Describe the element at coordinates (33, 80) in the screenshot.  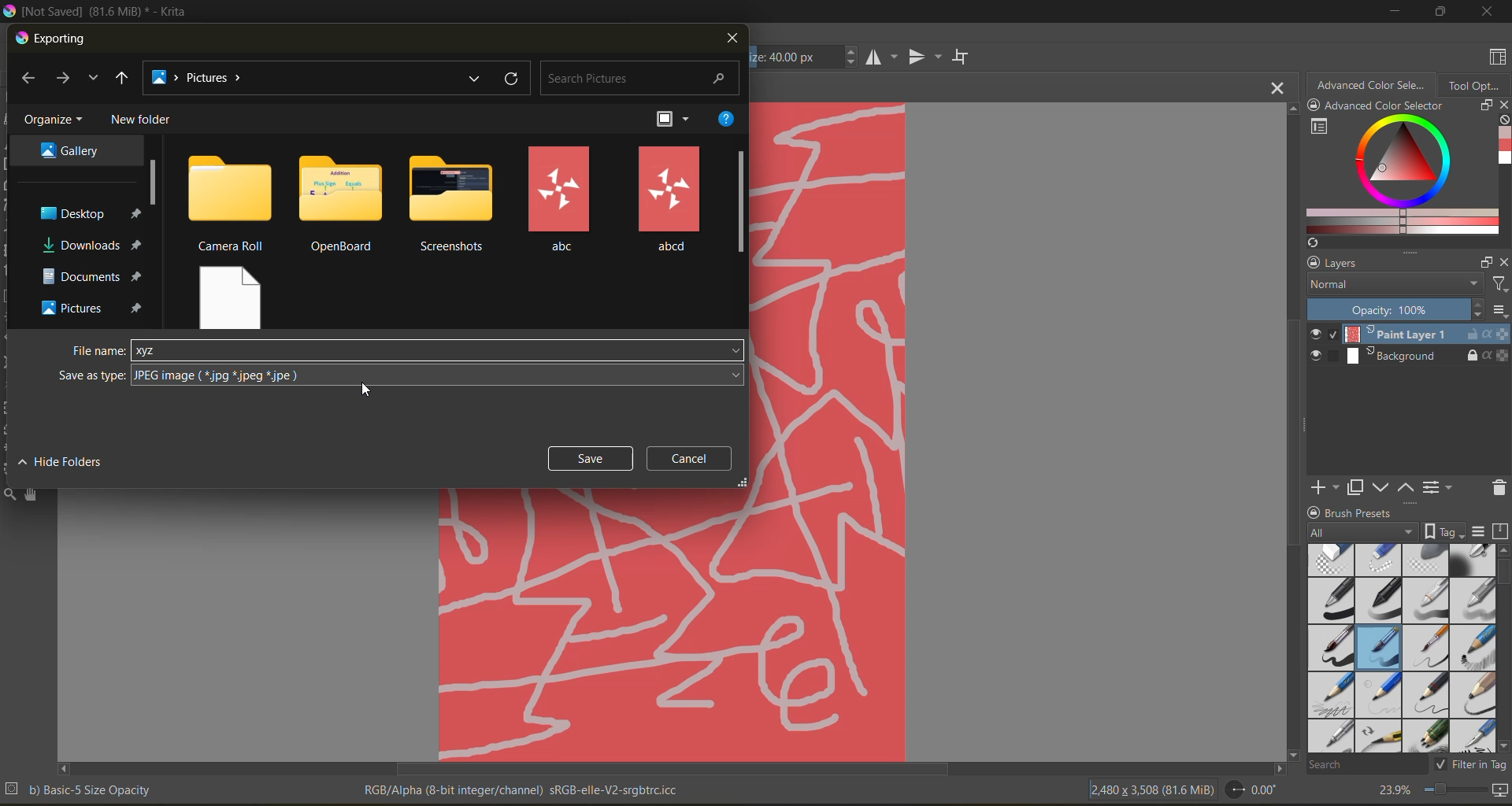
I see `back` at that location.